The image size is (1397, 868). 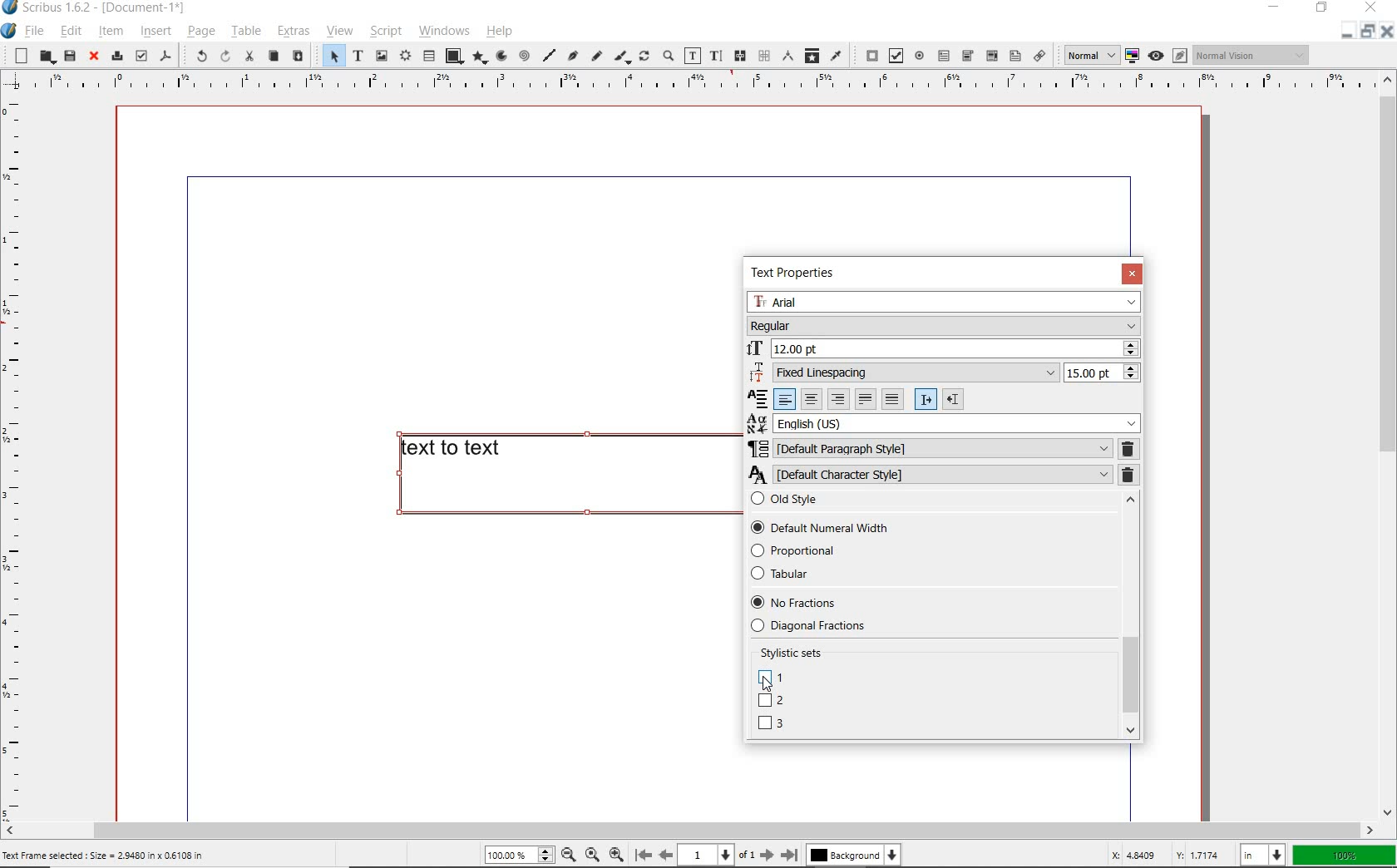 What do you see at coordinates (1345, 32) in the screenshot?
I see `Restore down` at bounding box center [1345, 32].